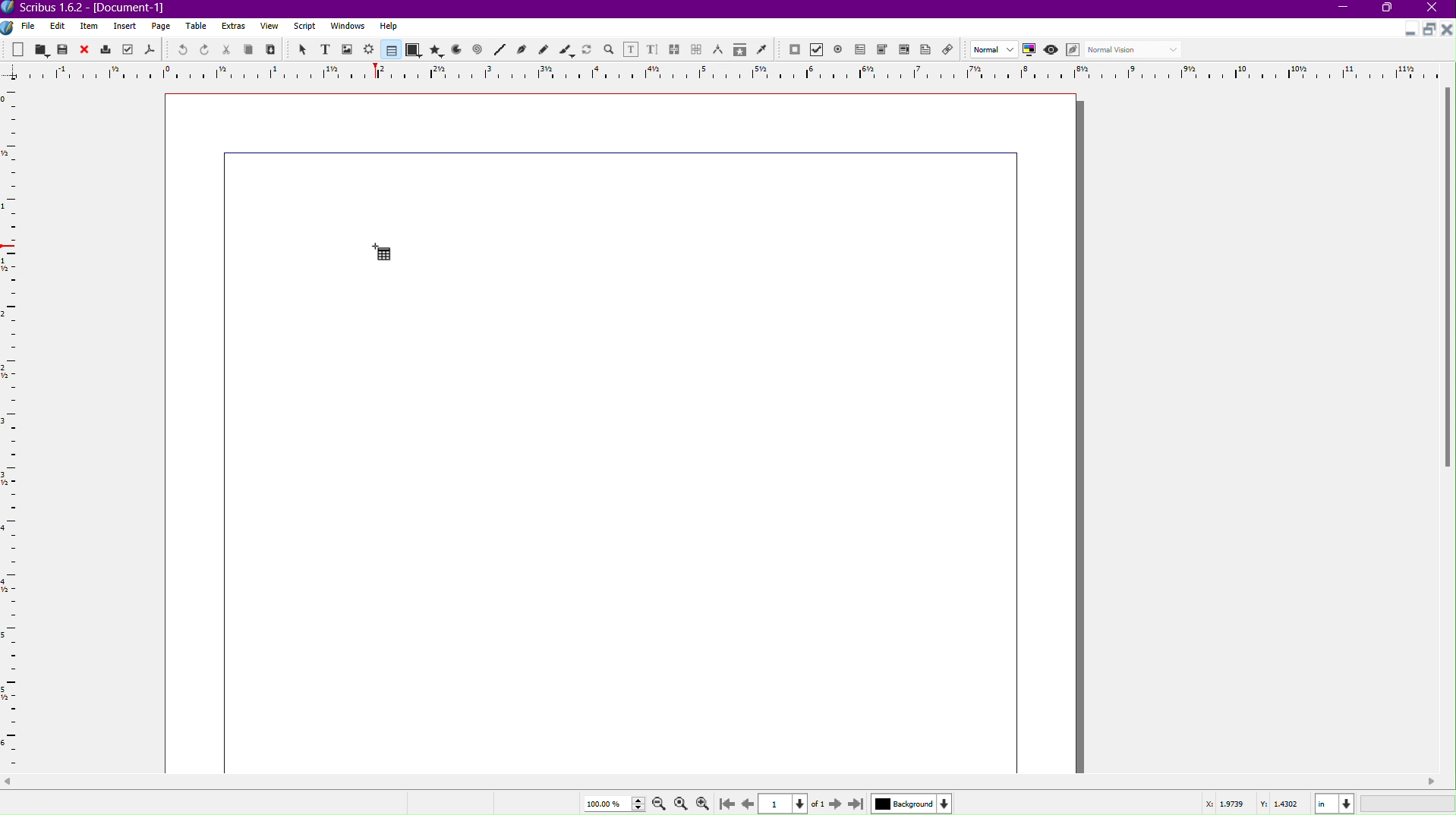  I want to click on Cut, so click(227, 49).